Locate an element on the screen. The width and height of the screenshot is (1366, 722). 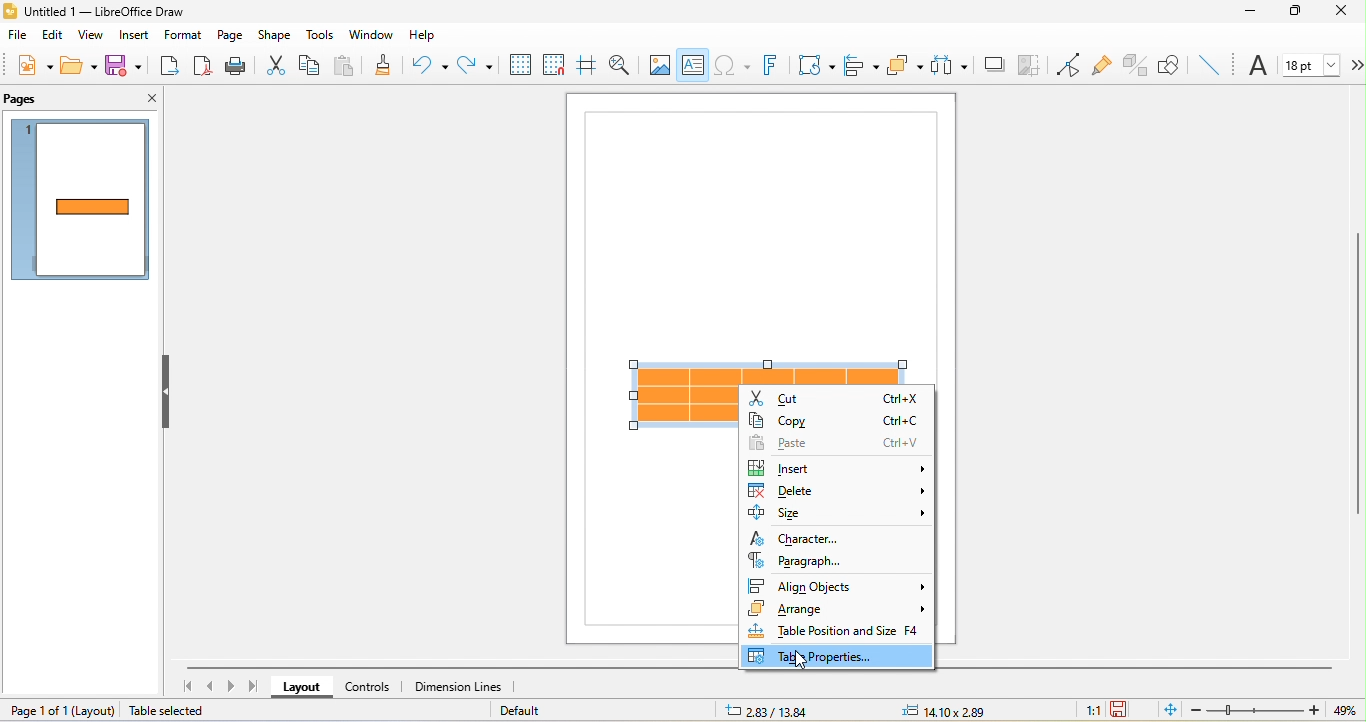
page1 is located at coordinates (82, 202).